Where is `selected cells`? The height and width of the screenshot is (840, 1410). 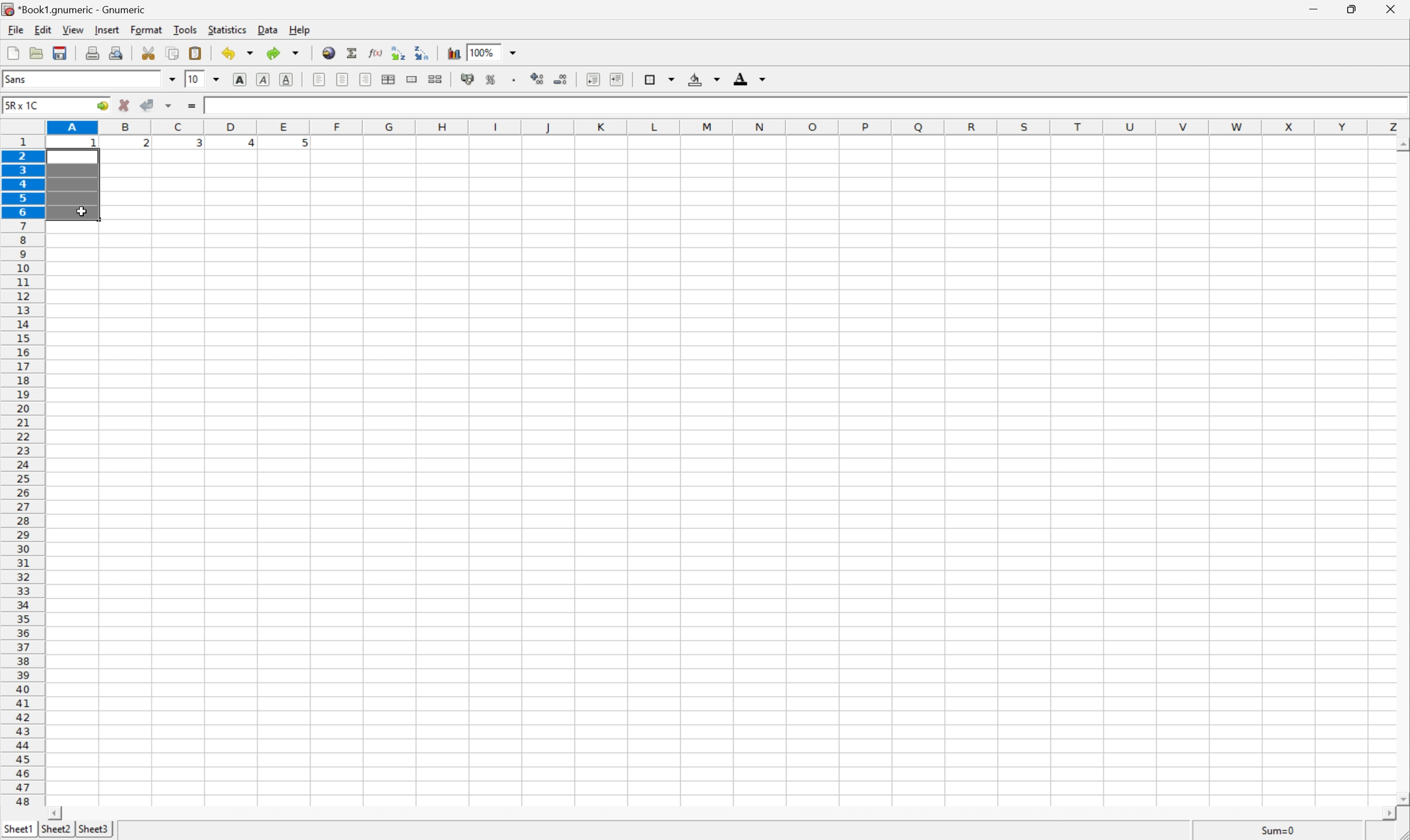 selected cells is located at coordinates (74, 187).